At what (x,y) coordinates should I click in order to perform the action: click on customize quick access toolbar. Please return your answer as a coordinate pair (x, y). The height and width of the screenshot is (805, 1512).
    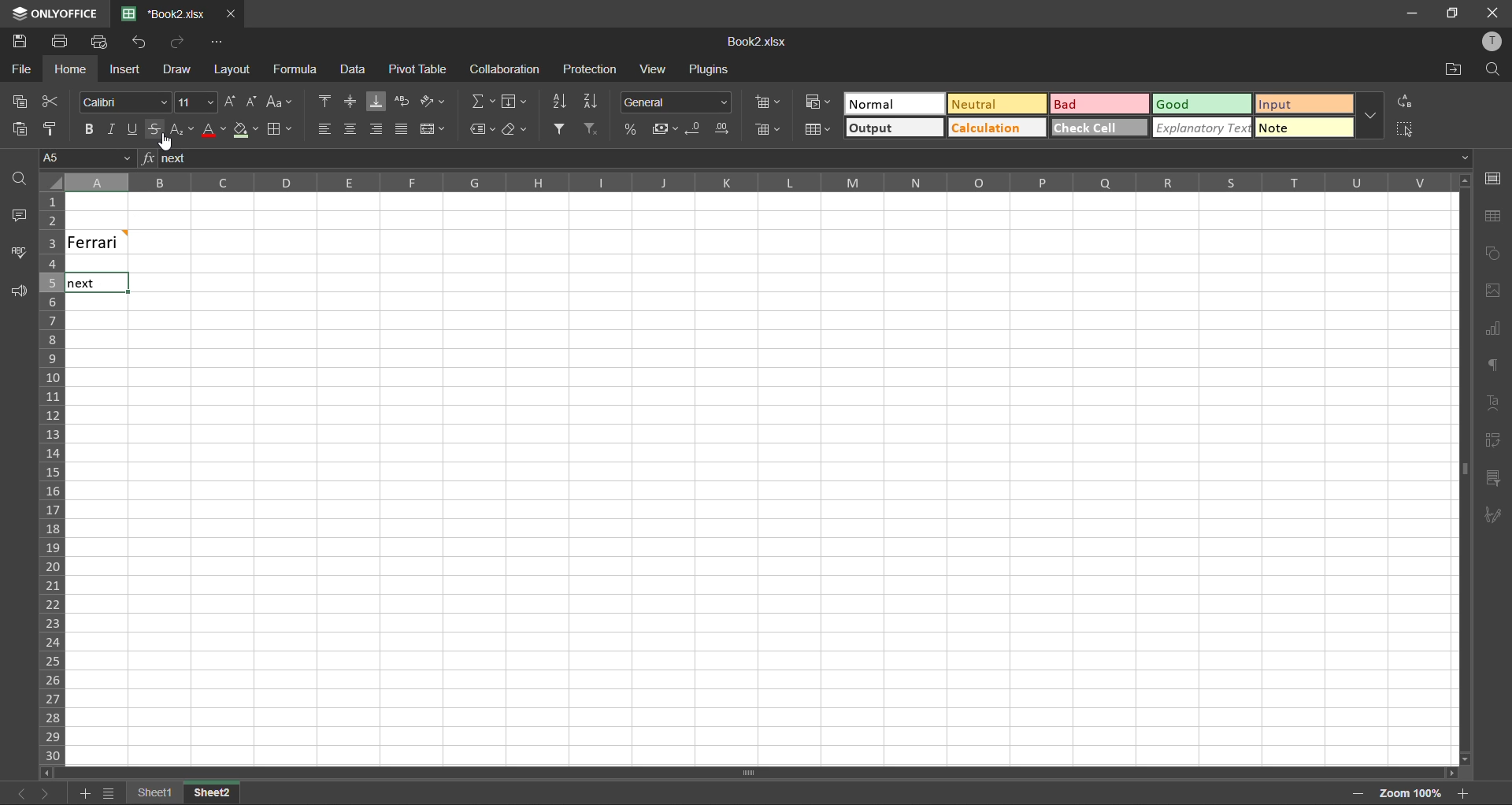
    Looking at the image, I should click on (223, 43).